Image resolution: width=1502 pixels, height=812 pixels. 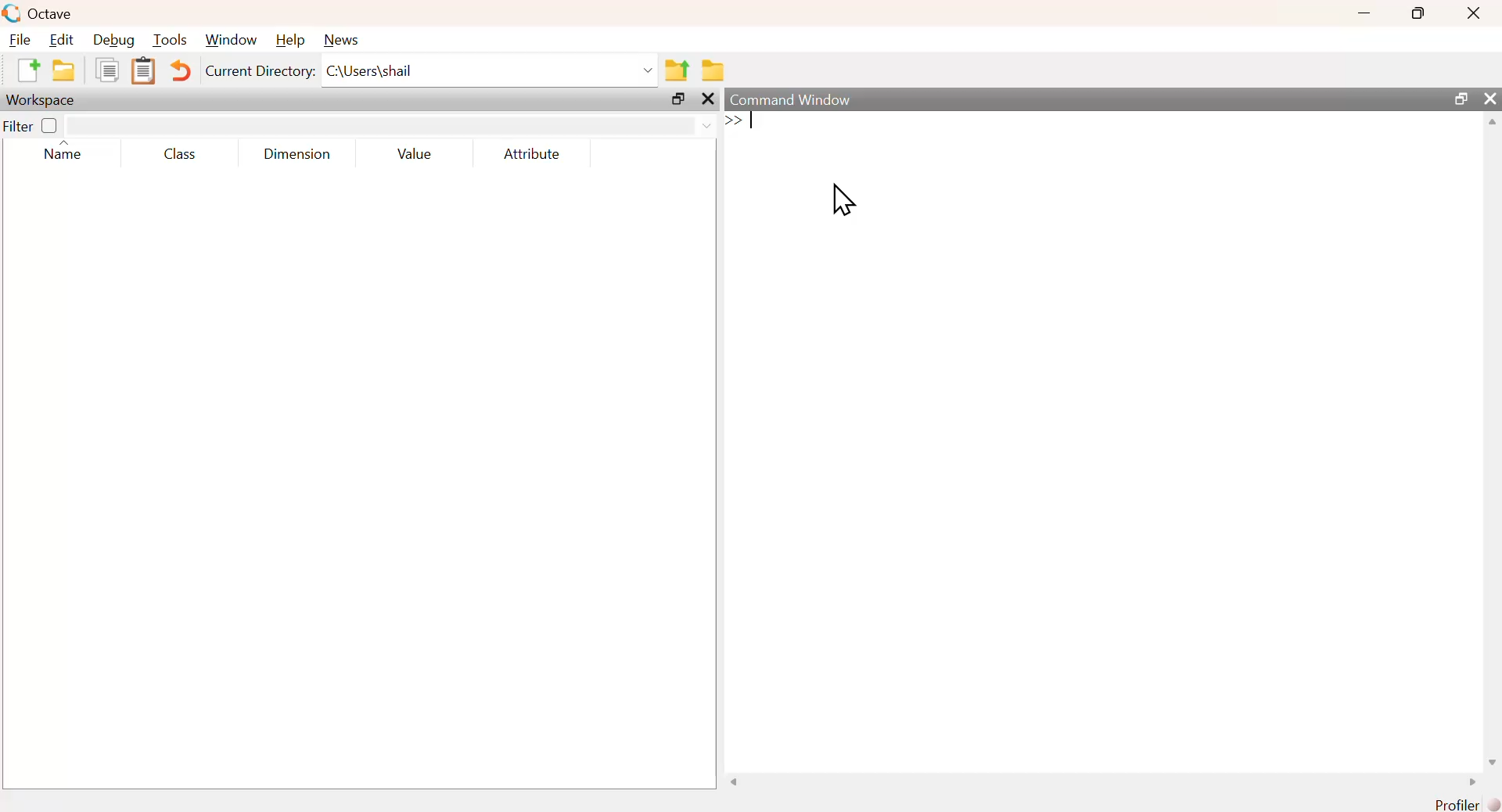 What do you see at coordinates (106, 73) in the screenshot?
I see `copy` at bounding box center [106, 73].